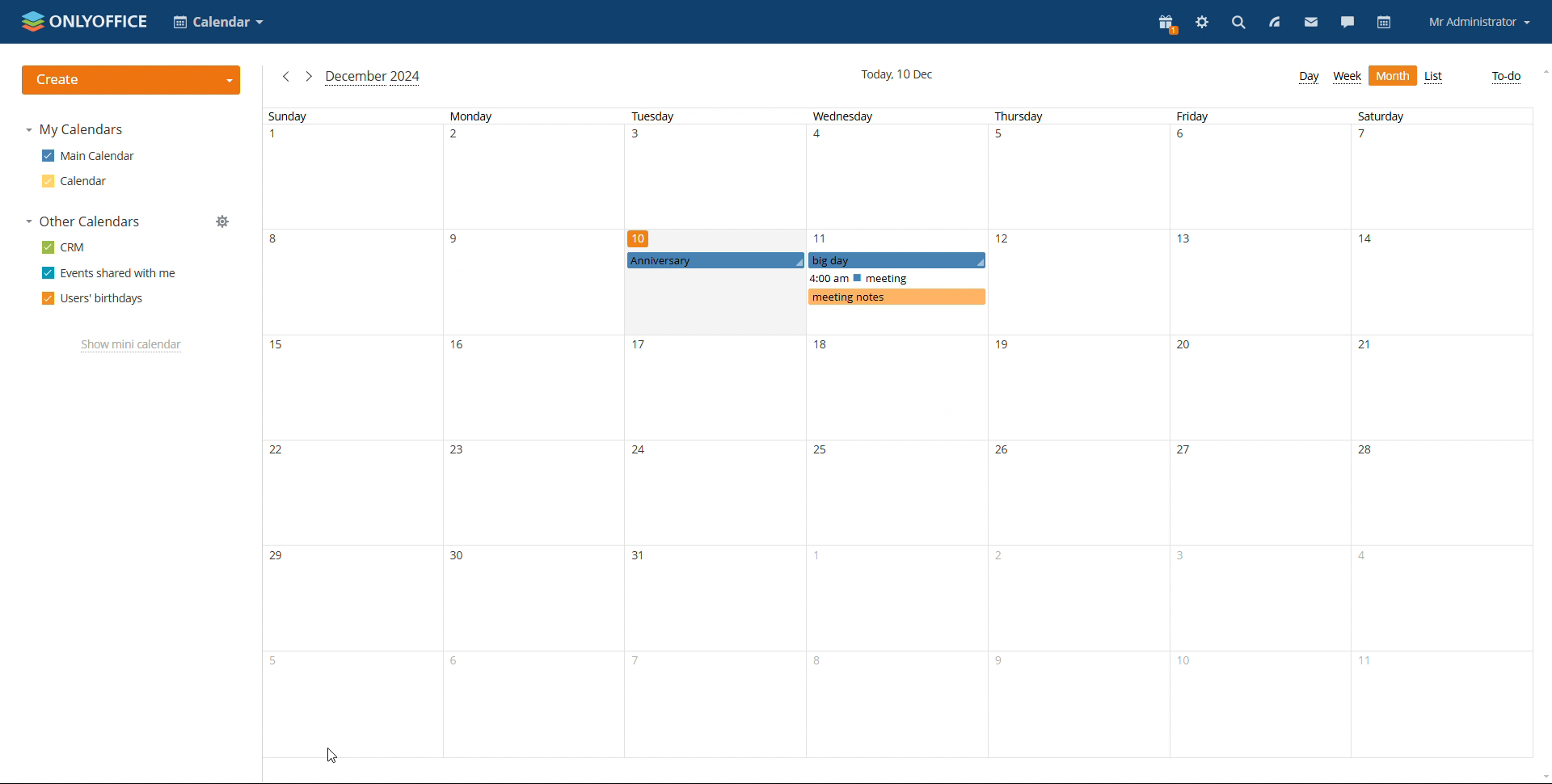 This screenshot has width=1552, height=784. I want to click on week view, so click(1347, 77).